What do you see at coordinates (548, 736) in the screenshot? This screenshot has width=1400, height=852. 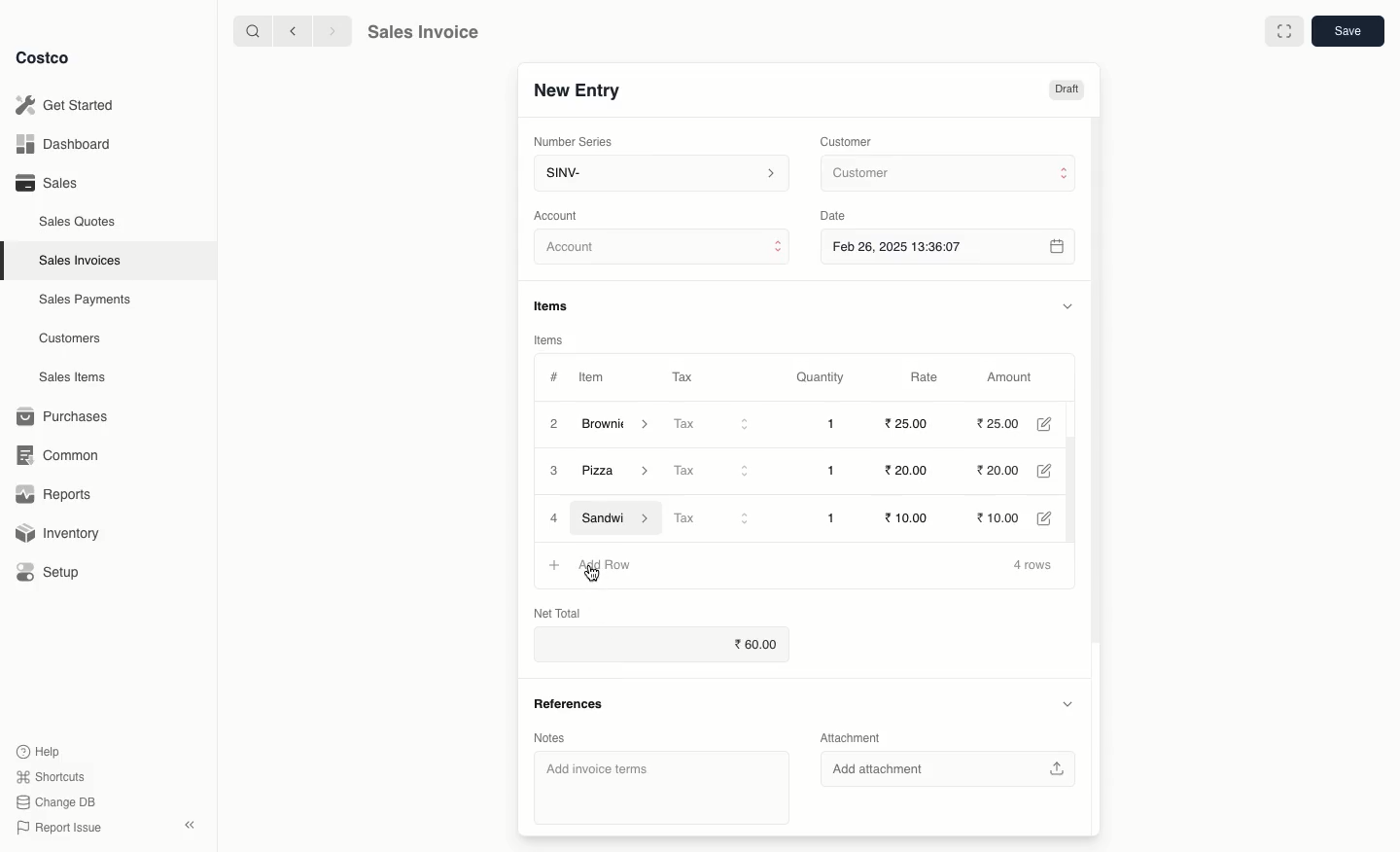 I see `Notes` at bounding box center [548, 736].